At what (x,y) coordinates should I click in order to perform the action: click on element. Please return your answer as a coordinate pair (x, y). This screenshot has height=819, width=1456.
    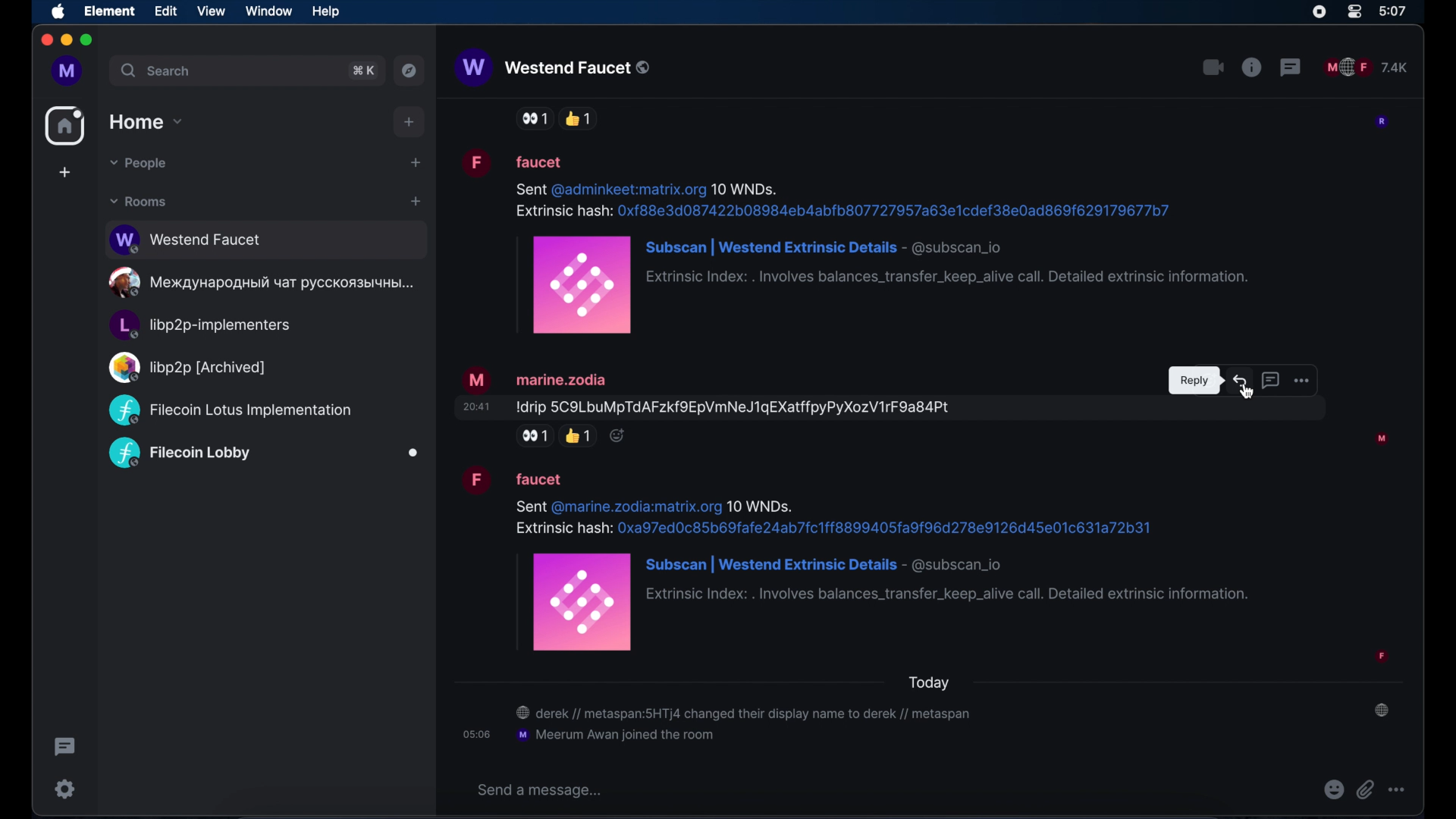
    Looking at the image, I should click on (111, 11).